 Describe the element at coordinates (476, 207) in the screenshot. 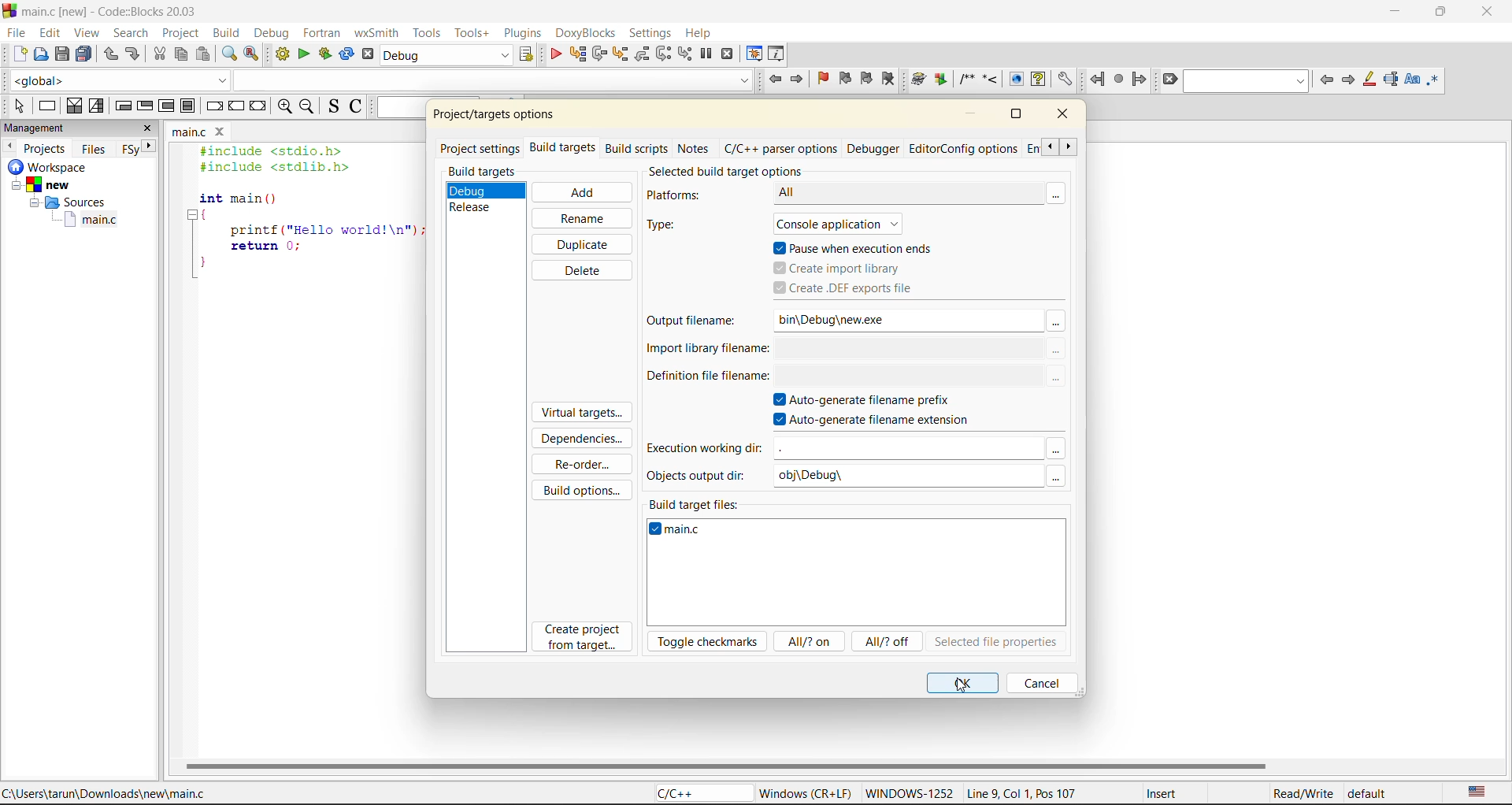

I see `release` at that location.